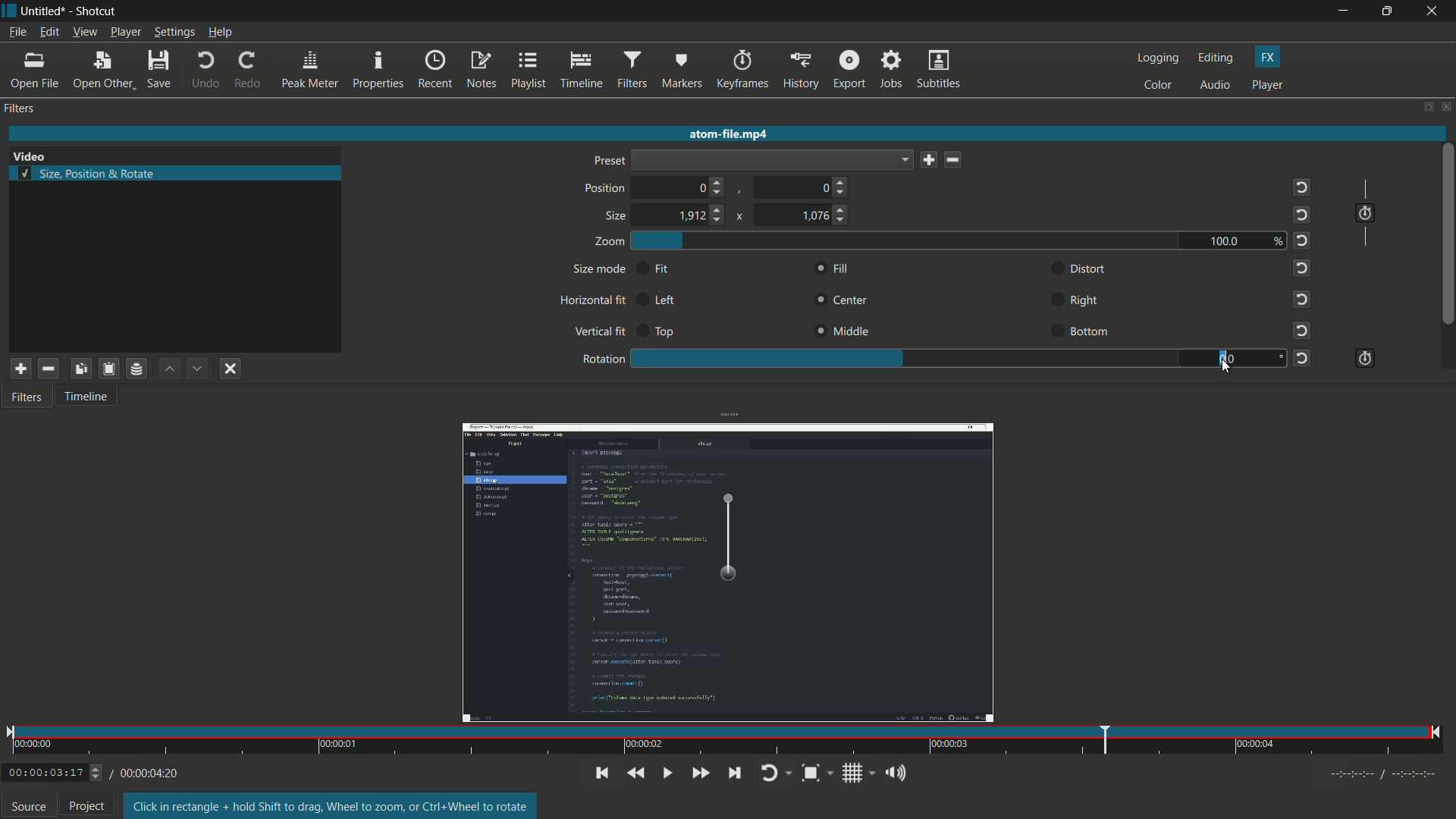  Describe the element at coordinates (1445, 106) in the screenshot. I see `close panel` at that location.